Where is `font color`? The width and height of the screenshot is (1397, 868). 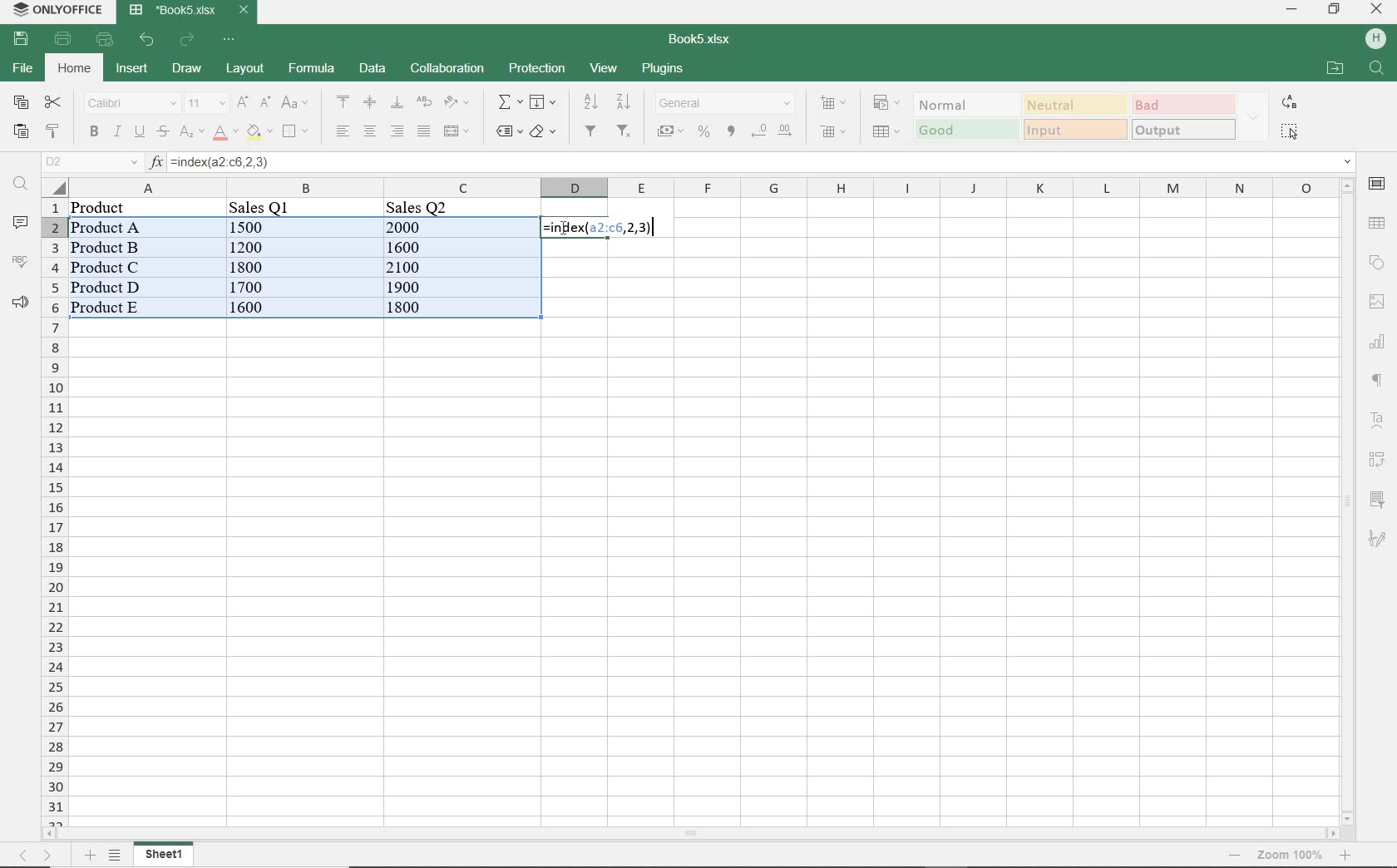 font color is located at coordinates (222, 133).